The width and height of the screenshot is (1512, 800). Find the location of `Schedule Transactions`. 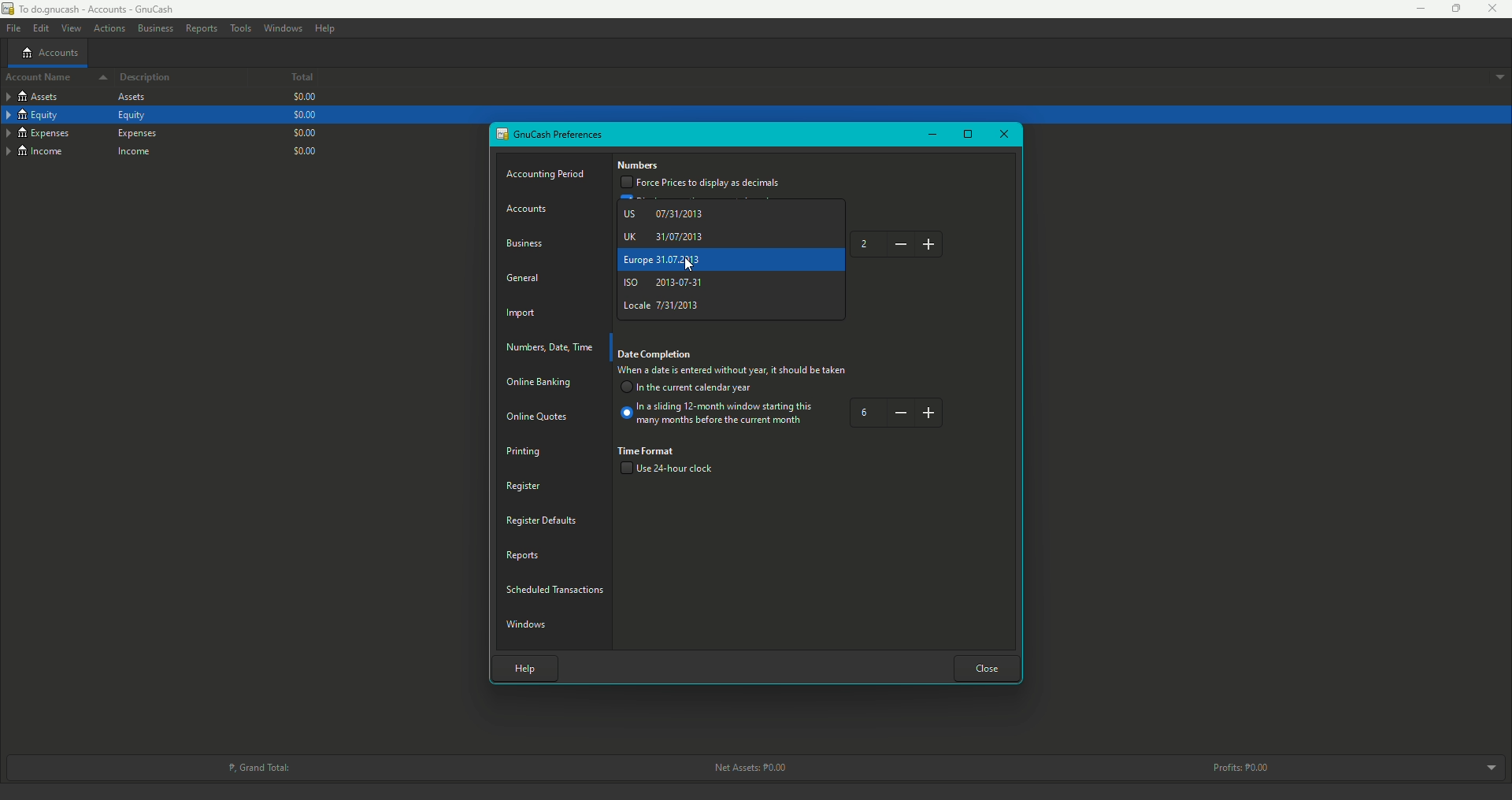

Schedule Transactions is located at coordinates (558, 587).